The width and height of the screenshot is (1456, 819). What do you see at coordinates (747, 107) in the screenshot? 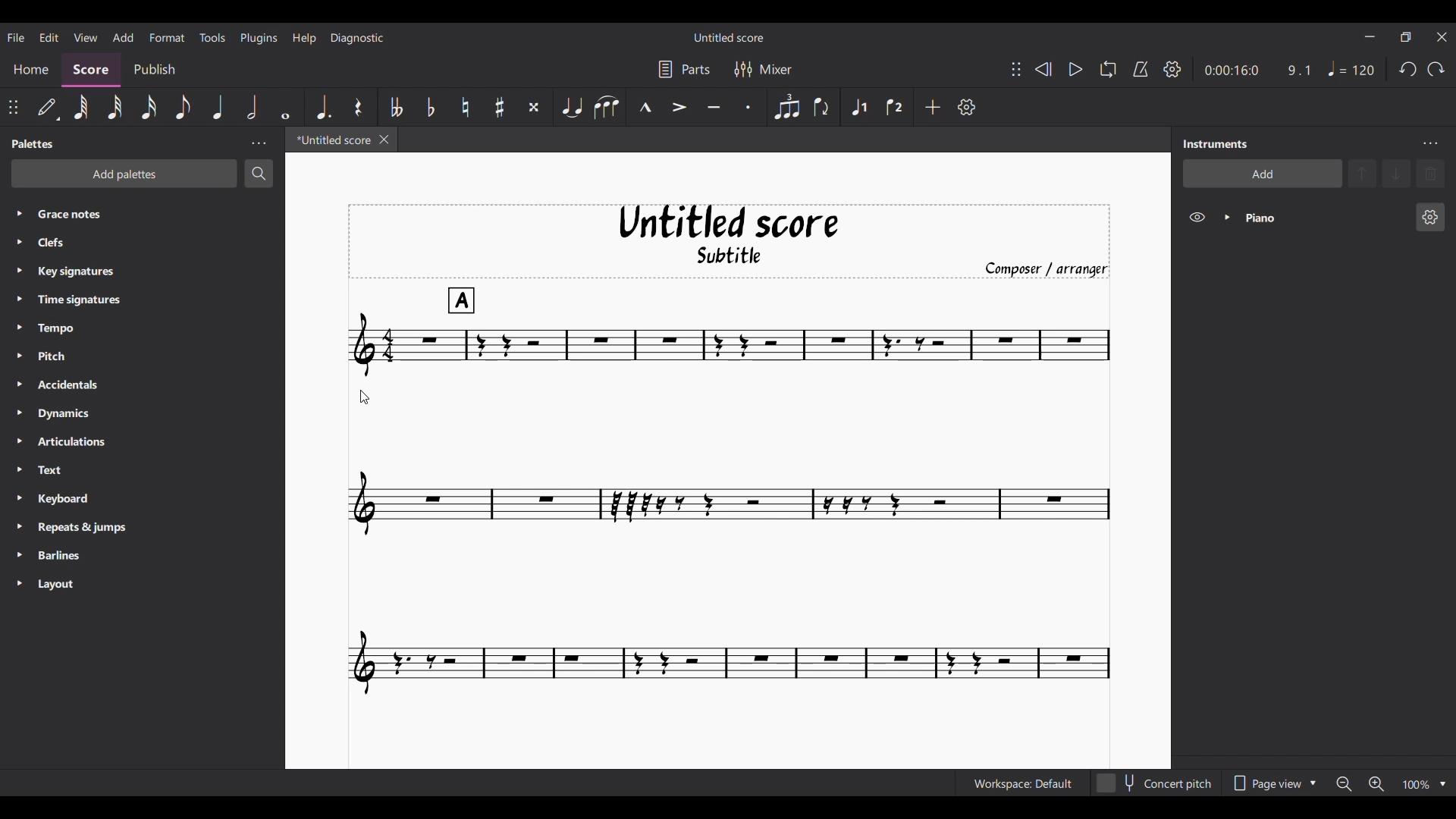
I see `Staccato` at bounding box center [747, 107].